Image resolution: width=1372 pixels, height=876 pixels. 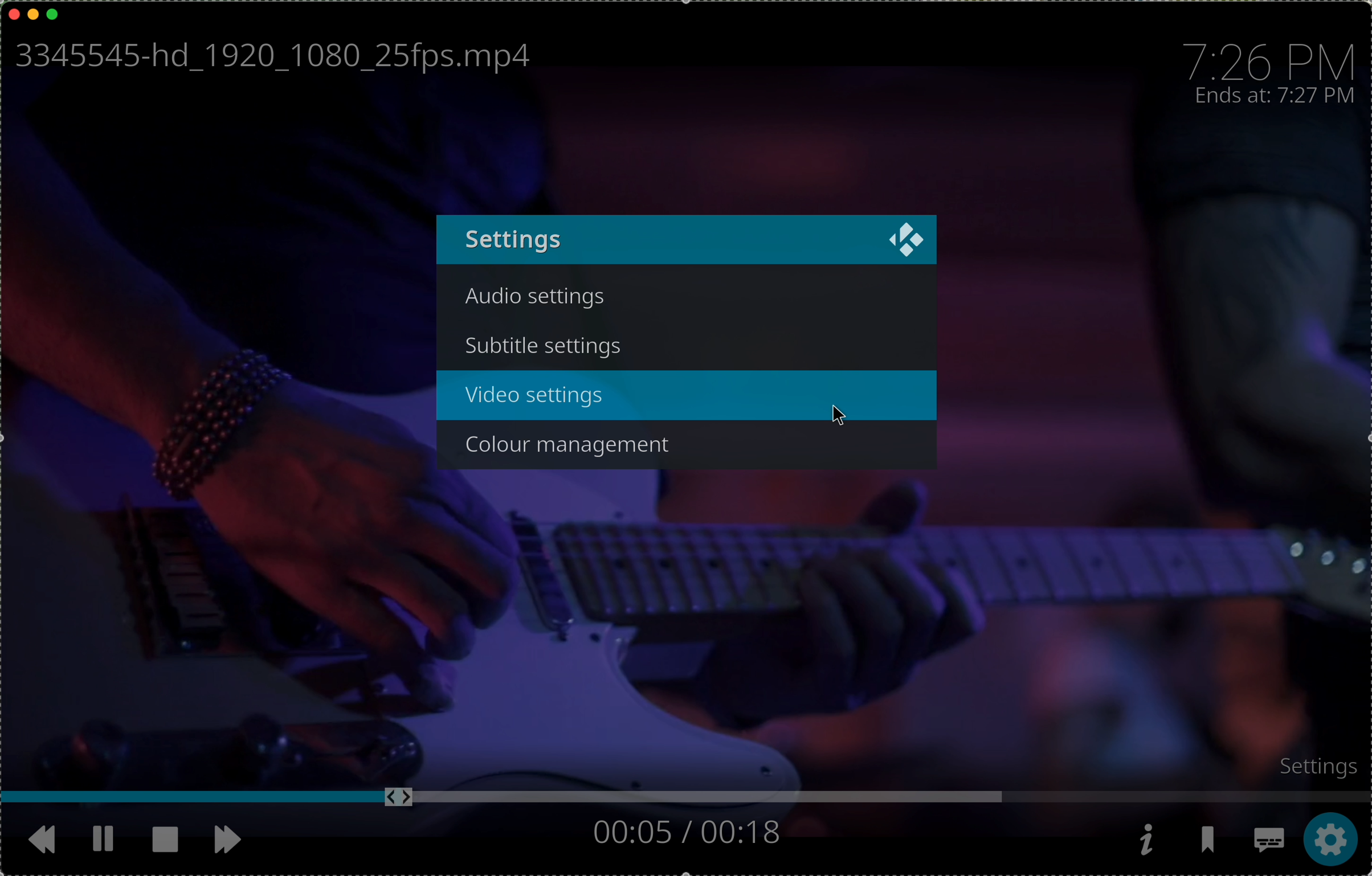 What do you see at coordinates (1275, 96) in the screenshot?
I see `ends at: 7:27 PM` at bounding box center [1275, 96].